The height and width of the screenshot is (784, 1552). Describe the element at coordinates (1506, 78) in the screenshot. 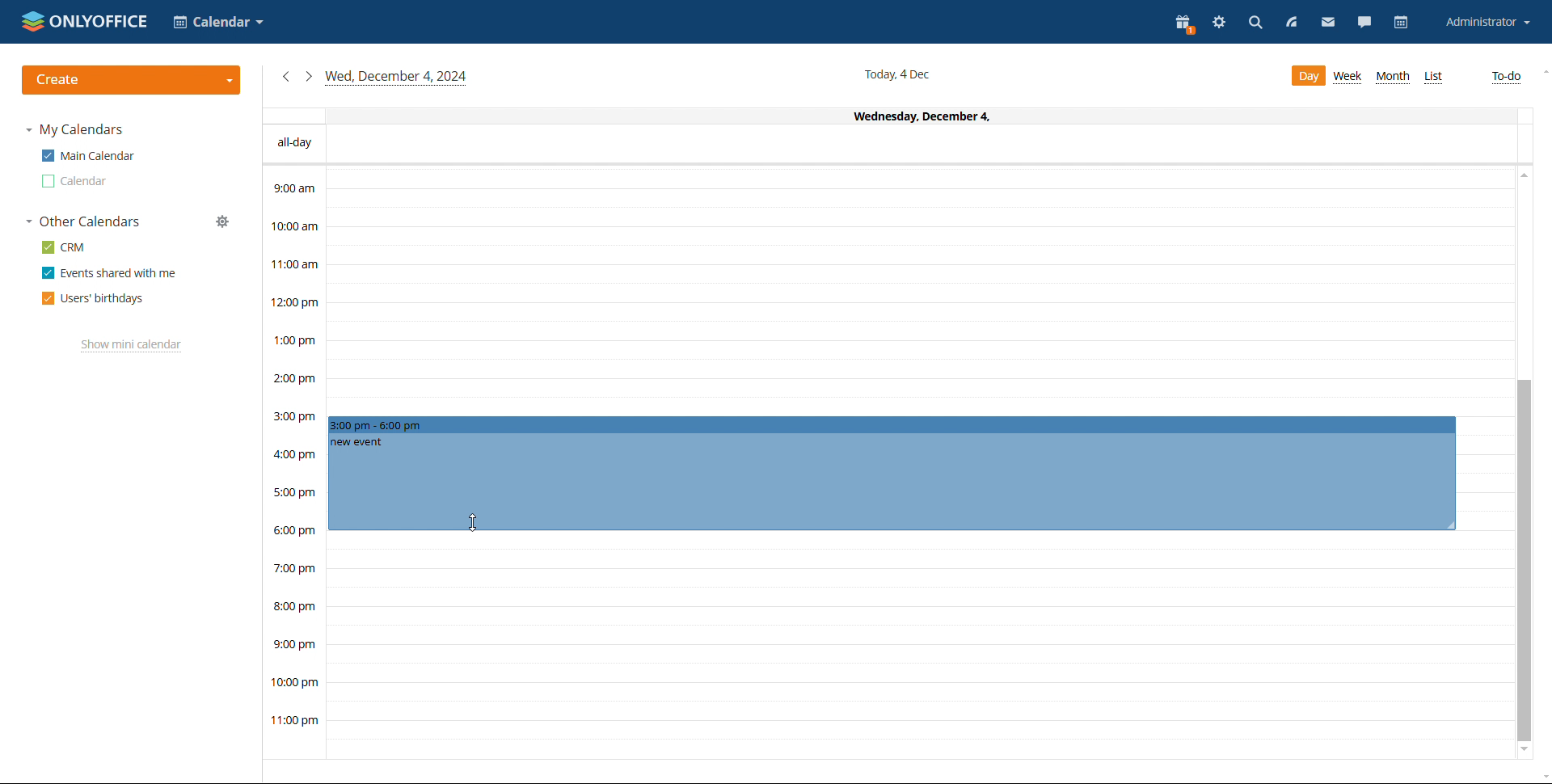

I see `to-do` at that location.